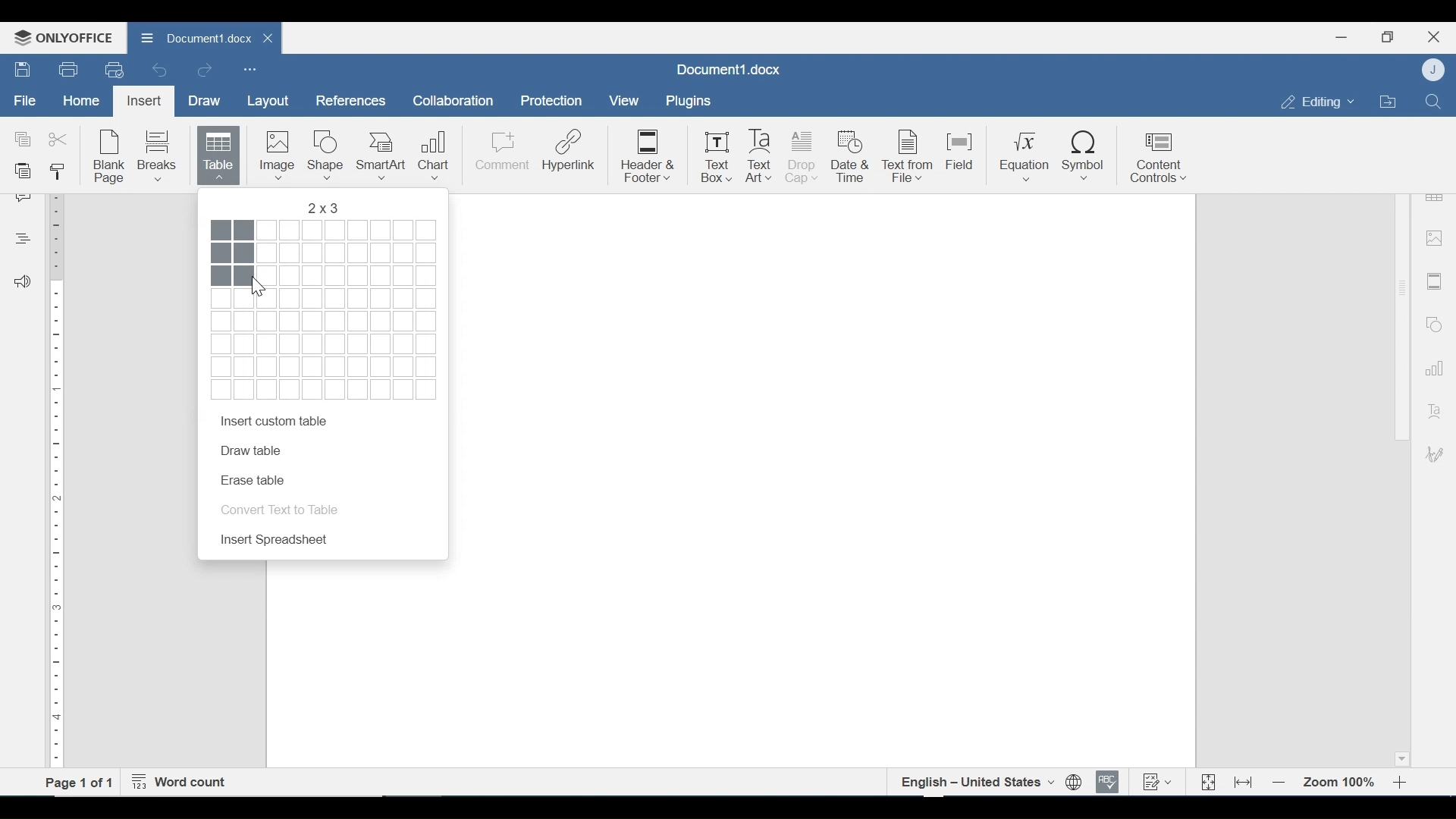 The width and height of the screenshot is (1456, 819). What do you see at coordinates (454, 101) in the screenshot?
I see `Collaboration` at bounding box center [454, 101].